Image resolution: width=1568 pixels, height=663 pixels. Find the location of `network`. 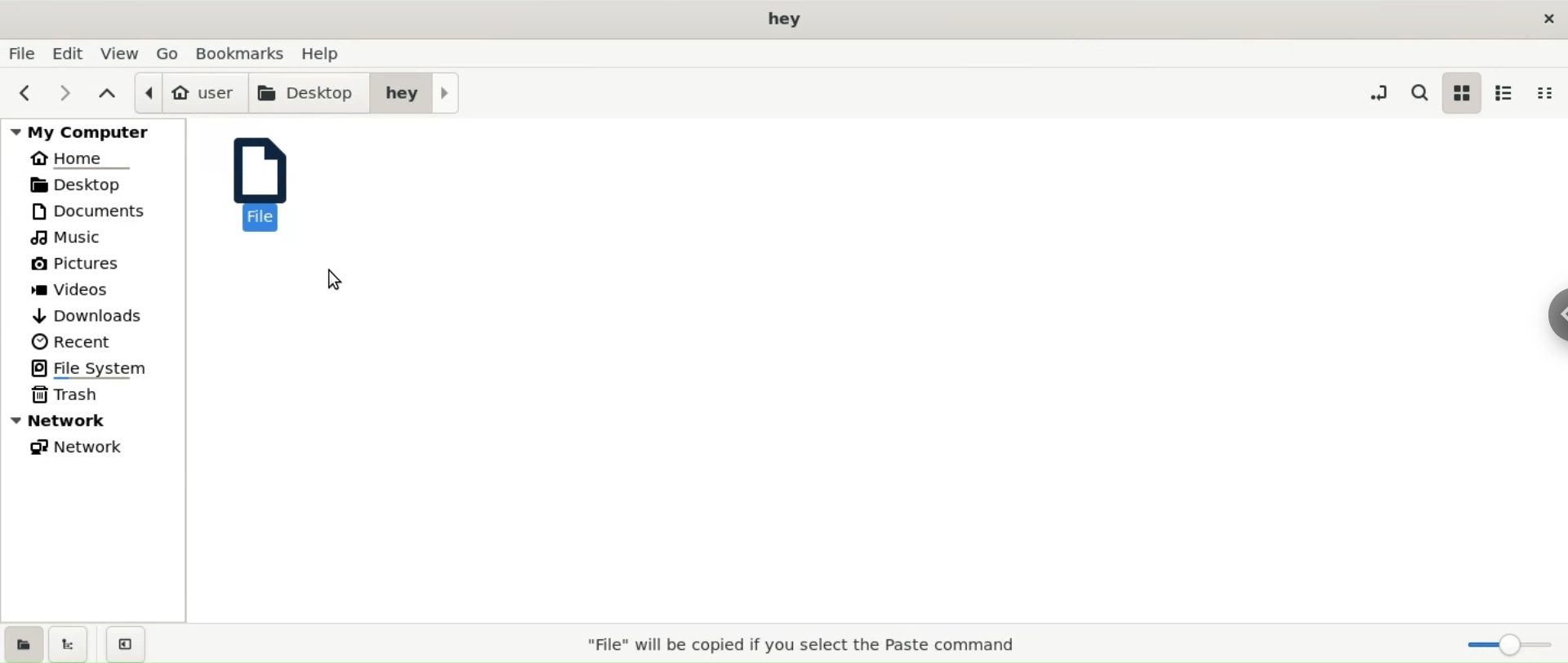

network is located at coordinates (95, 447).